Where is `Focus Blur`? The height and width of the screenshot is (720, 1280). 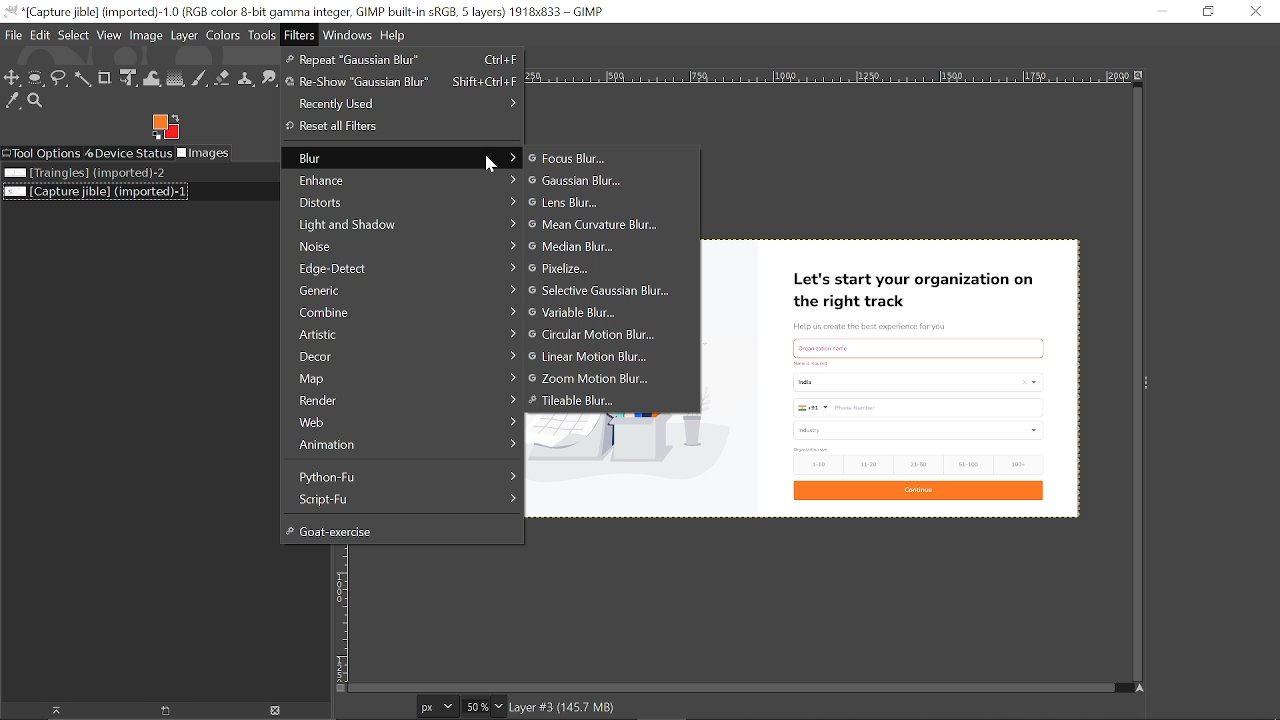
Focus Blur is located at coordinates (588, 159).